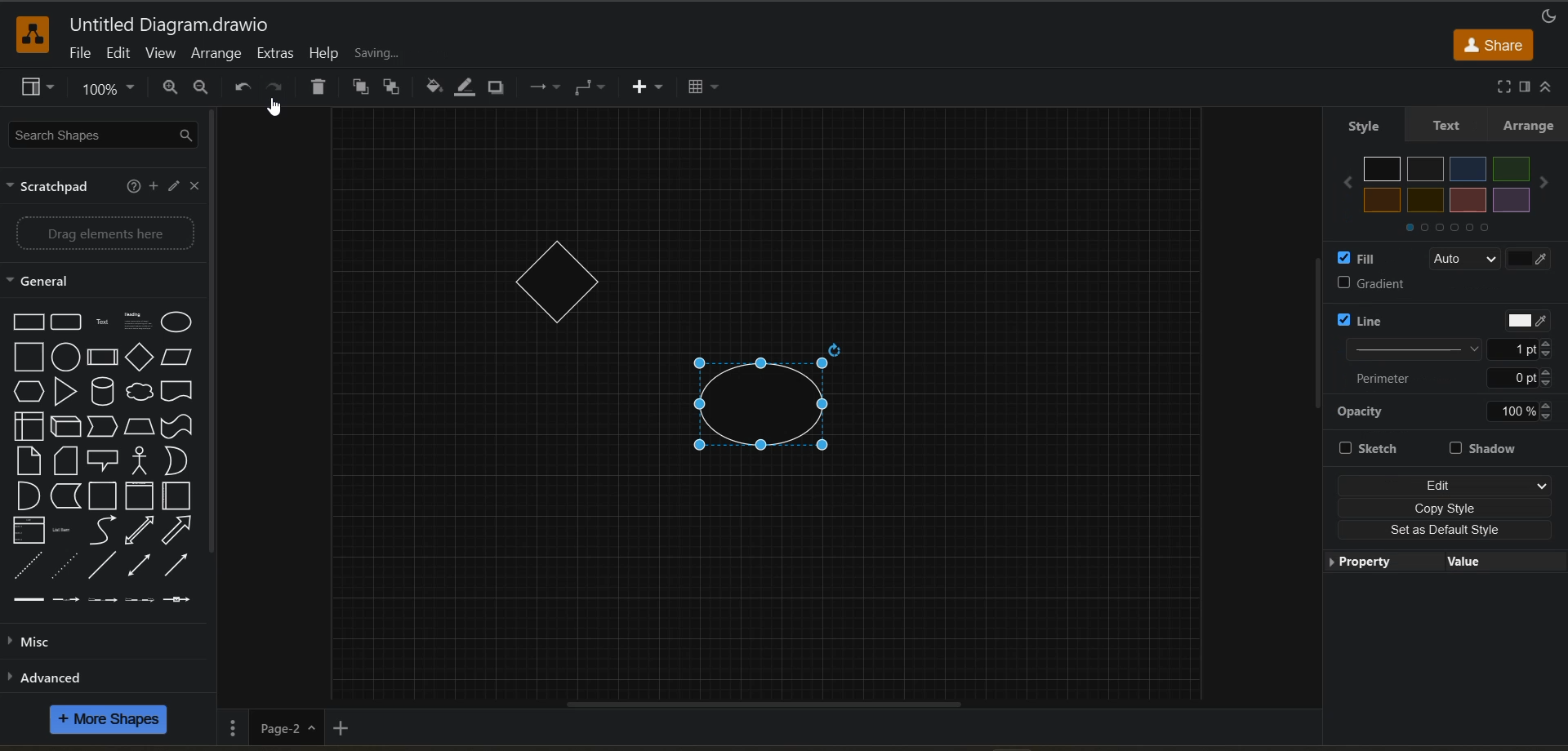  Describe the element at coordinates (1383, 448) in the screenshot. I see `sketch` at that location.